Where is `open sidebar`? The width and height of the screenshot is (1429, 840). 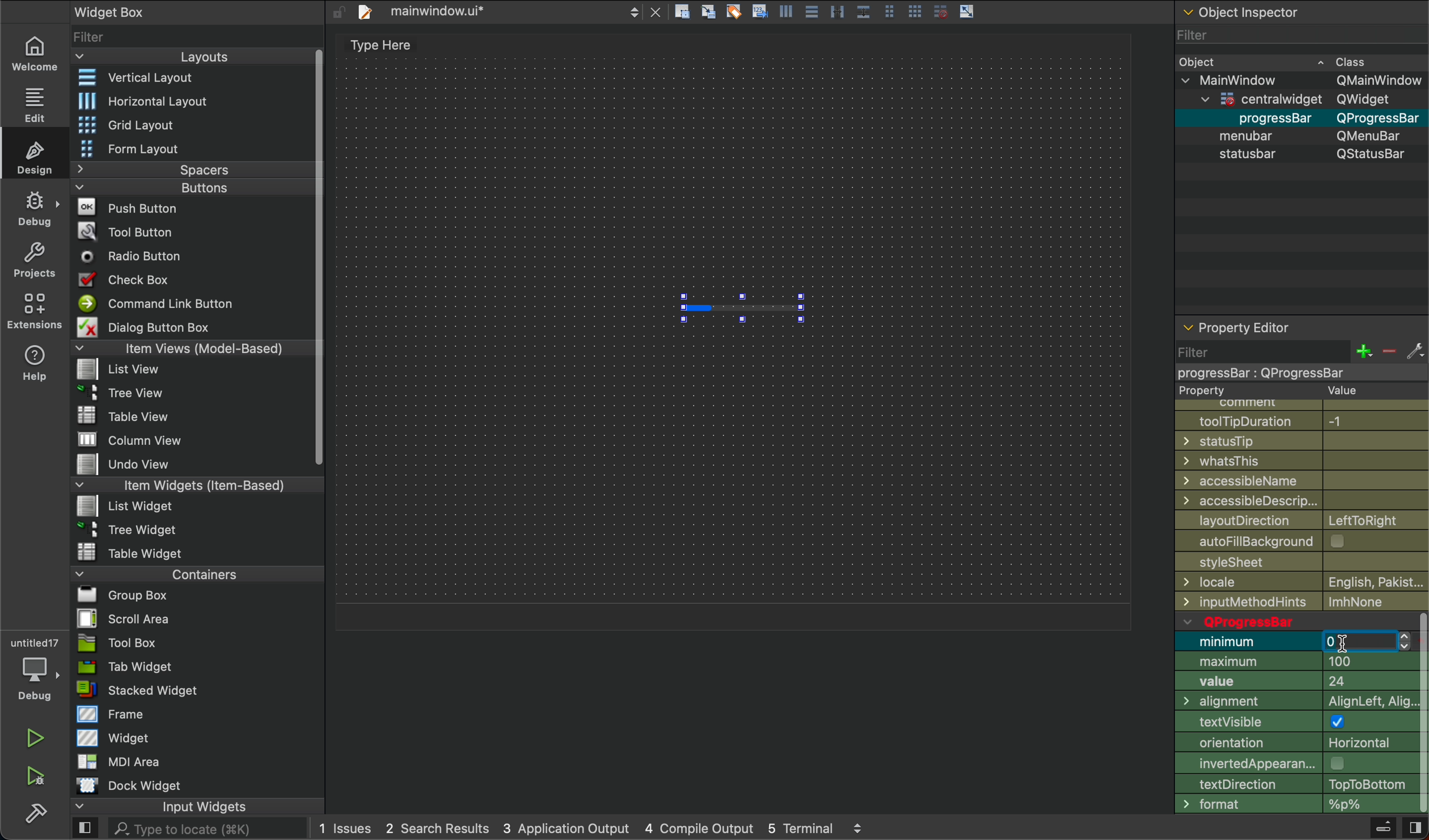
open sidebar is located at coordinates (85, 829).